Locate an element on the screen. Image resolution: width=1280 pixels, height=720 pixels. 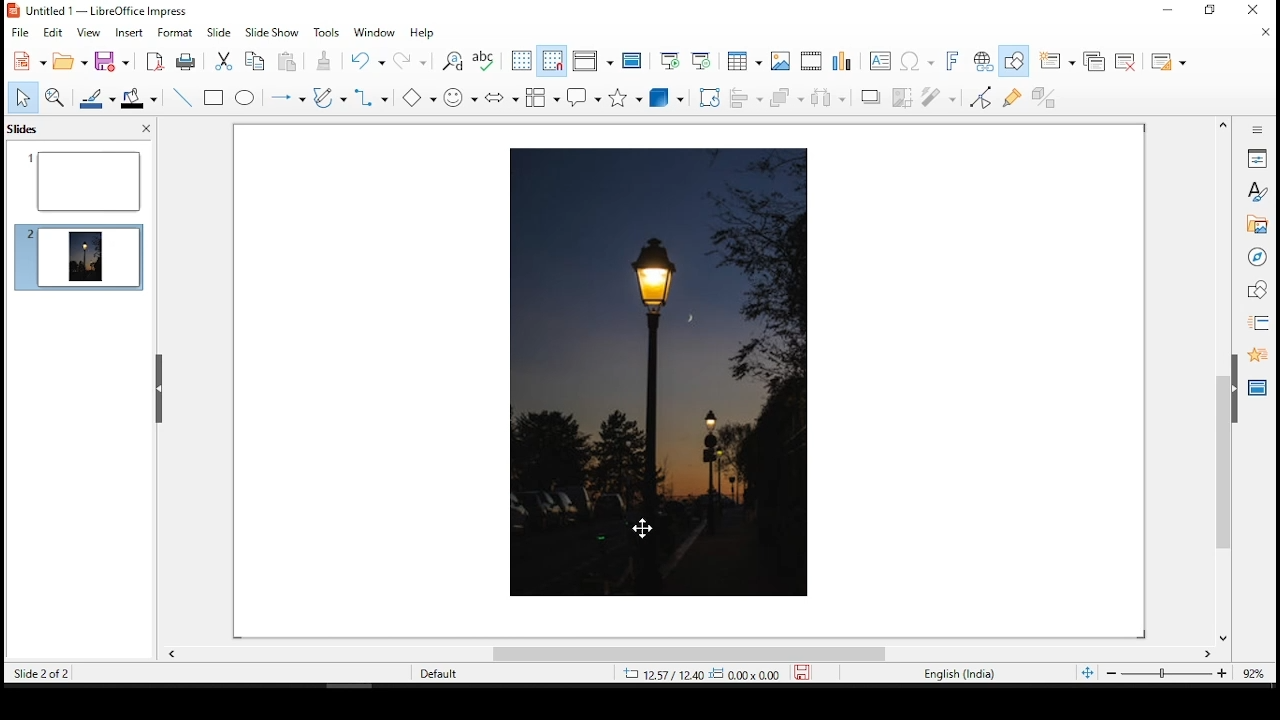
line color is located at coordinates (95, 98).